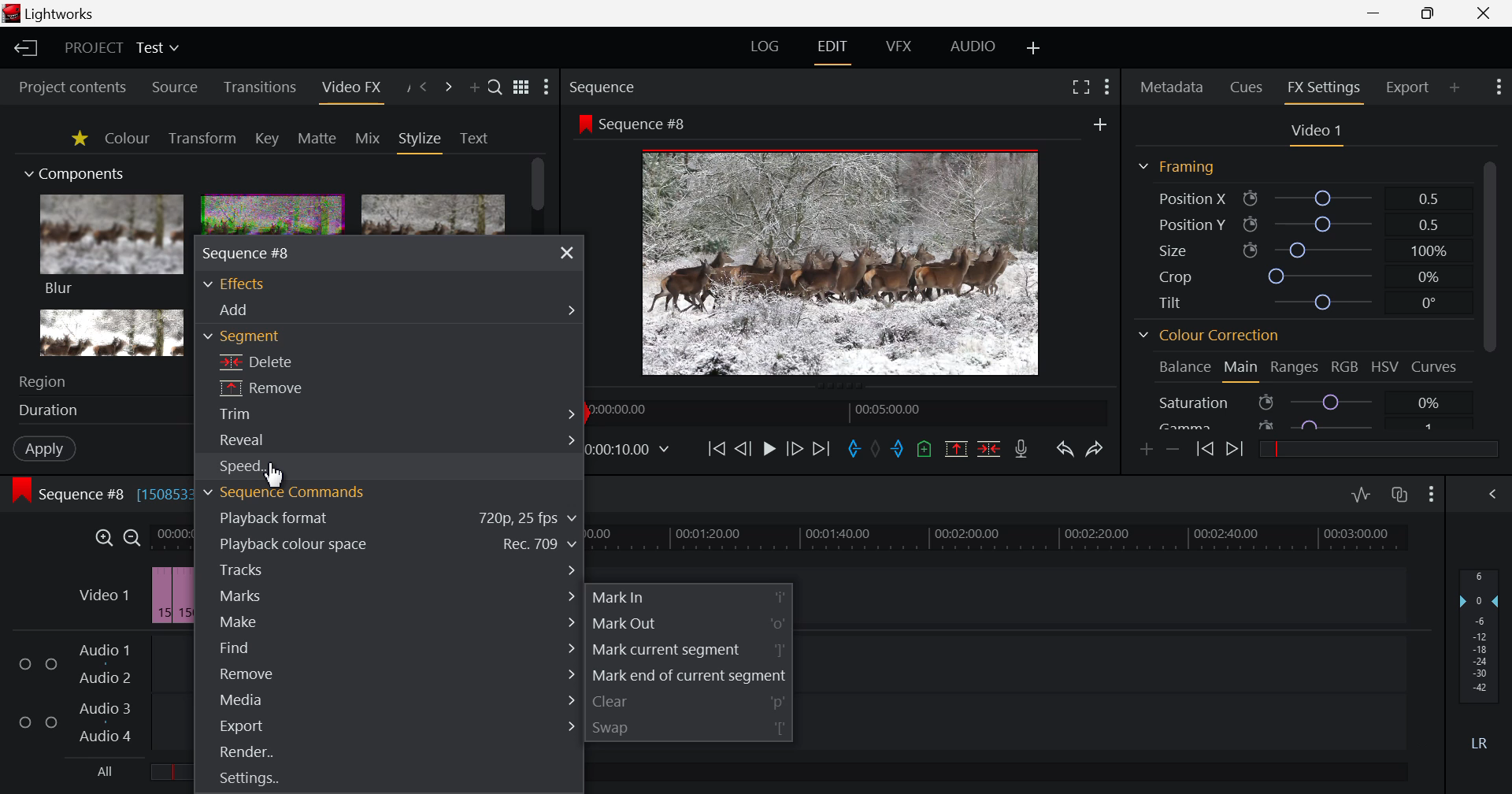  I want to click on Toggle audio levels editing, so click(1361, 495).